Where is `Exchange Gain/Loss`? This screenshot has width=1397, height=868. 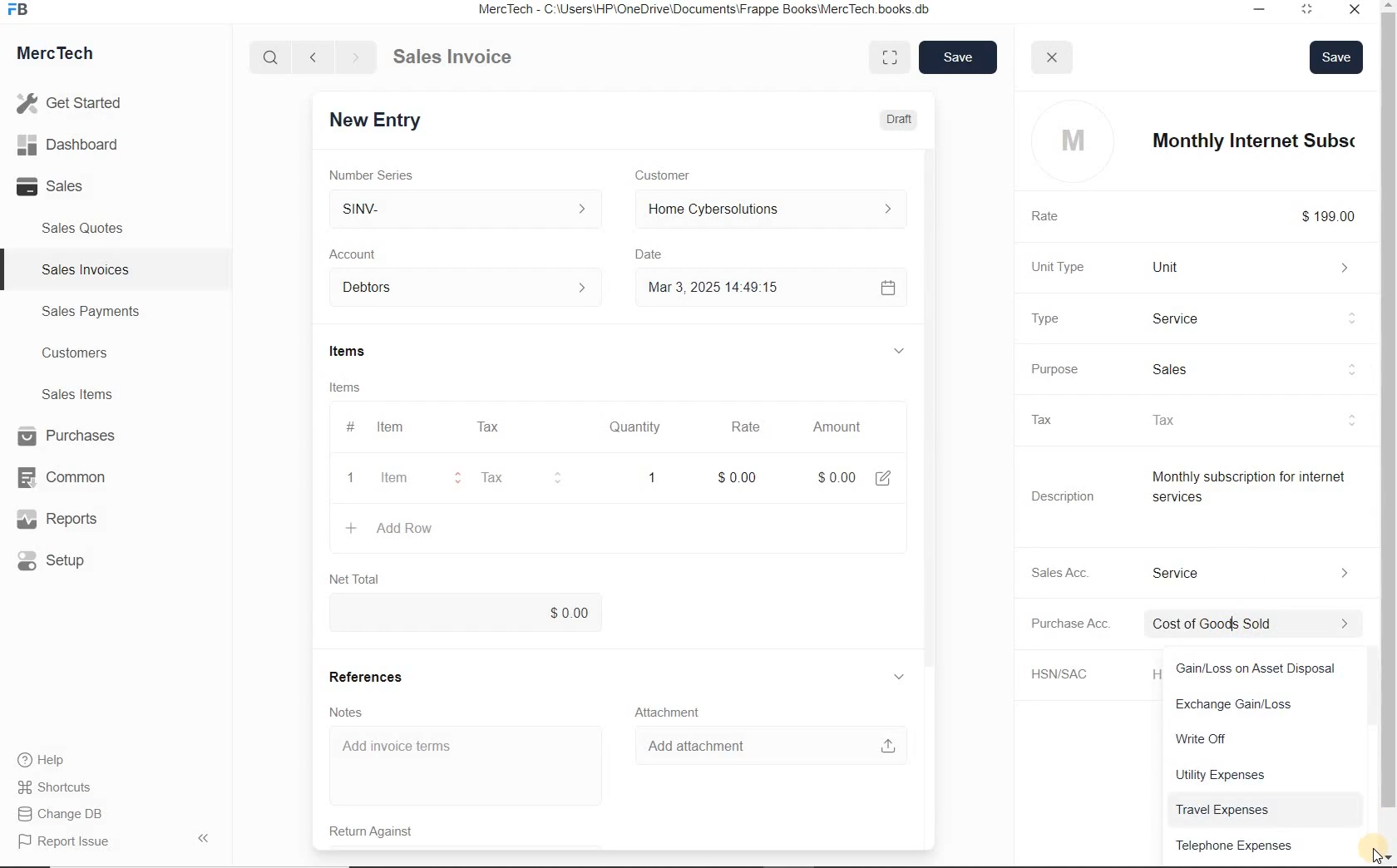
Exchange Gain/Loss is located at coordinates (1266, 702).